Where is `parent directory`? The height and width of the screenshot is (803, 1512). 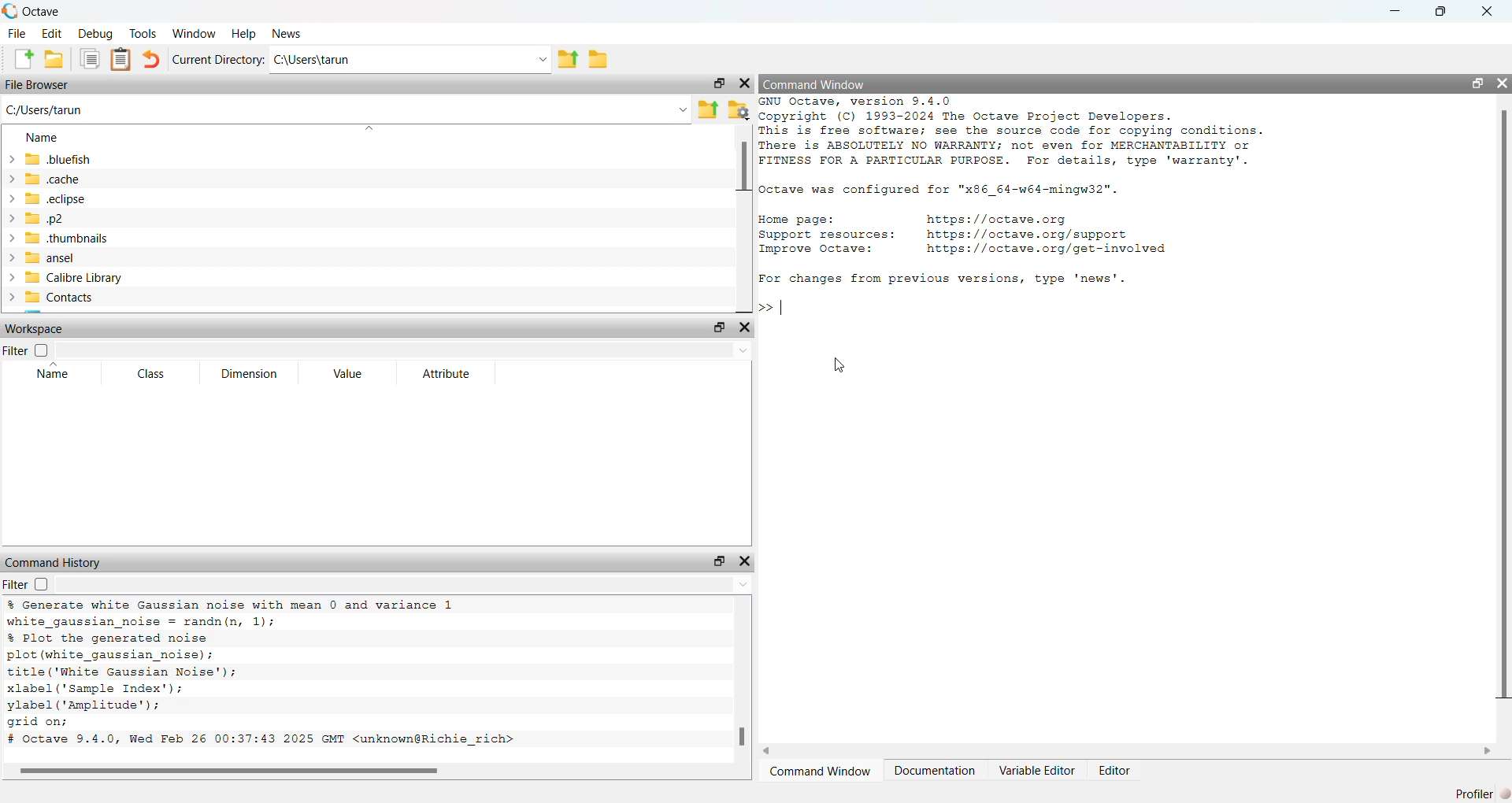 parent directory is located at coordinates (573, 57).